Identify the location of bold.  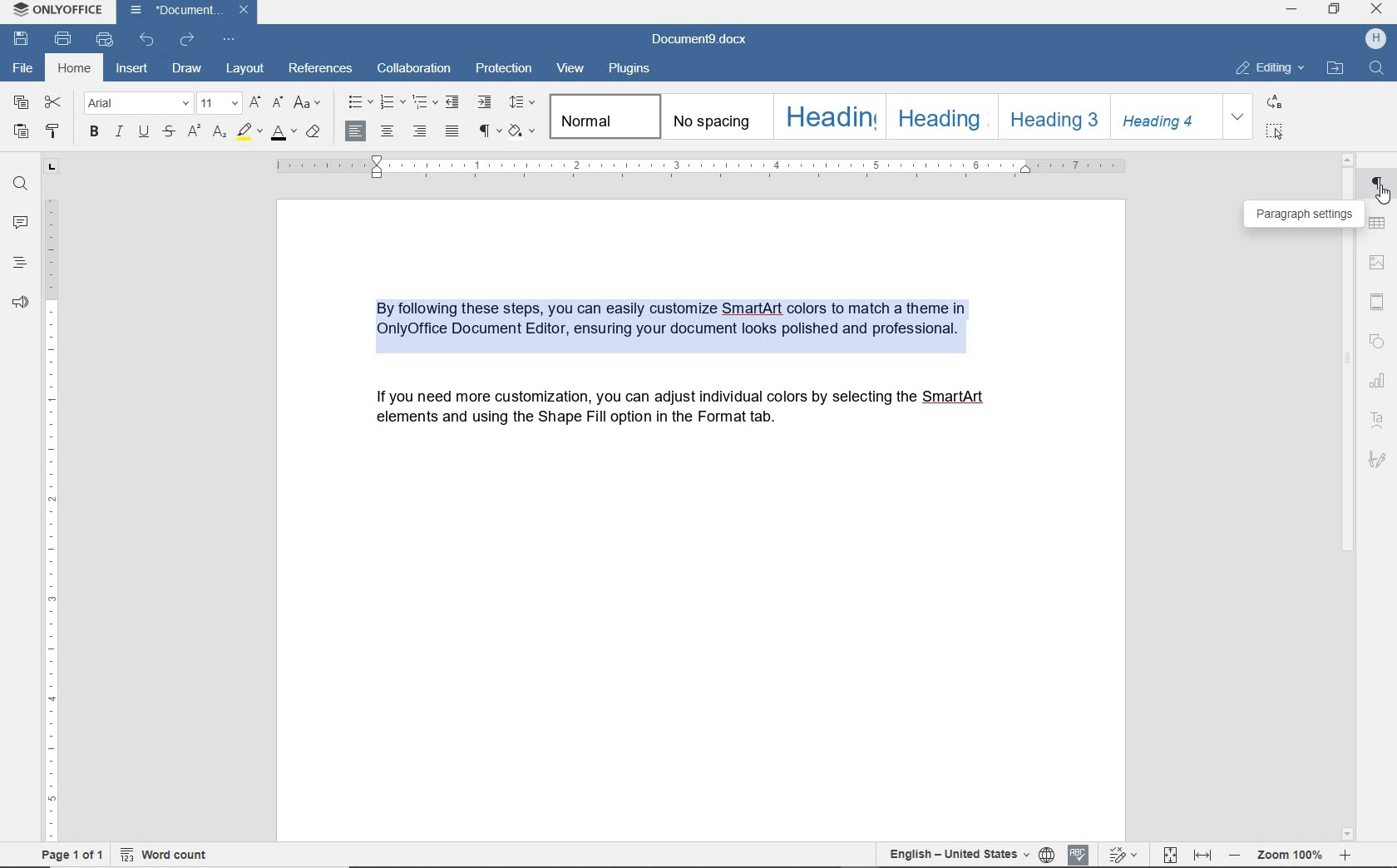
(93, 131).